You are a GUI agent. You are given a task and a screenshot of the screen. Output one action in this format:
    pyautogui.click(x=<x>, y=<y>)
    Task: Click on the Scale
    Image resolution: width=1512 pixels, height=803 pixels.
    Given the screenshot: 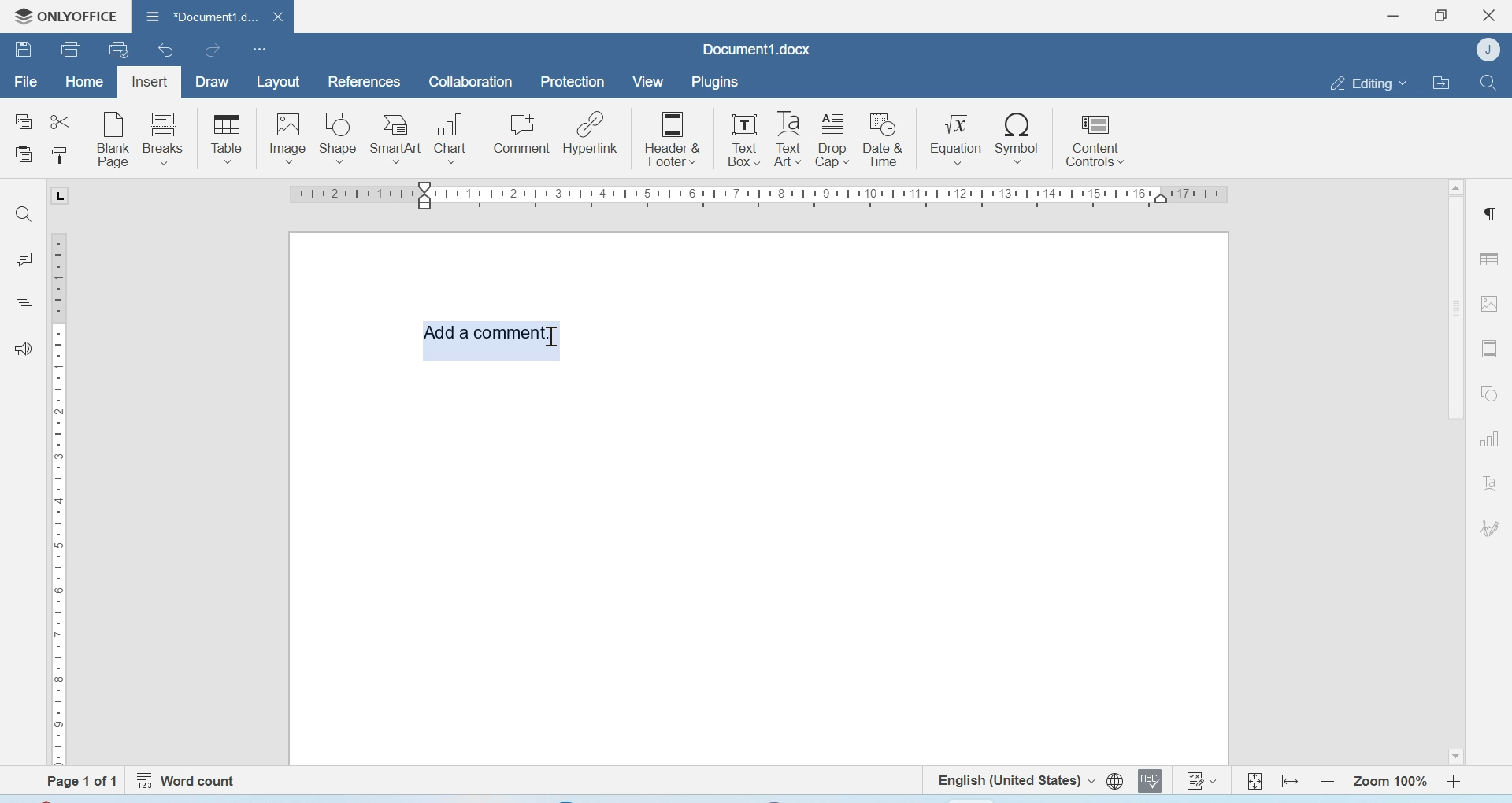 What is the action you would take?
    pyautogui.click(x=61, y=496)
    